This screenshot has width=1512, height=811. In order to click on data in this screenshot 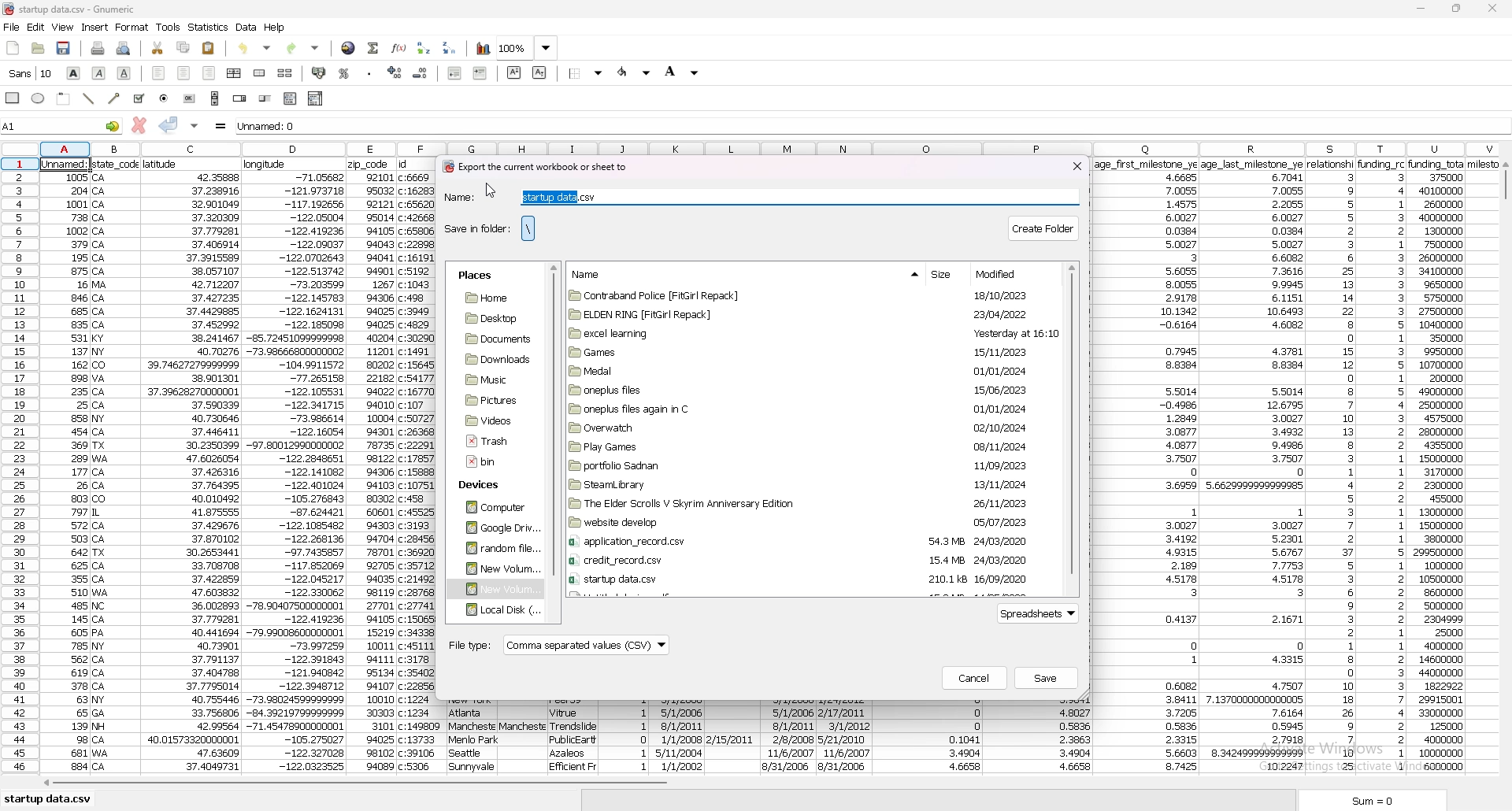, I will do `click(247, 27)`.